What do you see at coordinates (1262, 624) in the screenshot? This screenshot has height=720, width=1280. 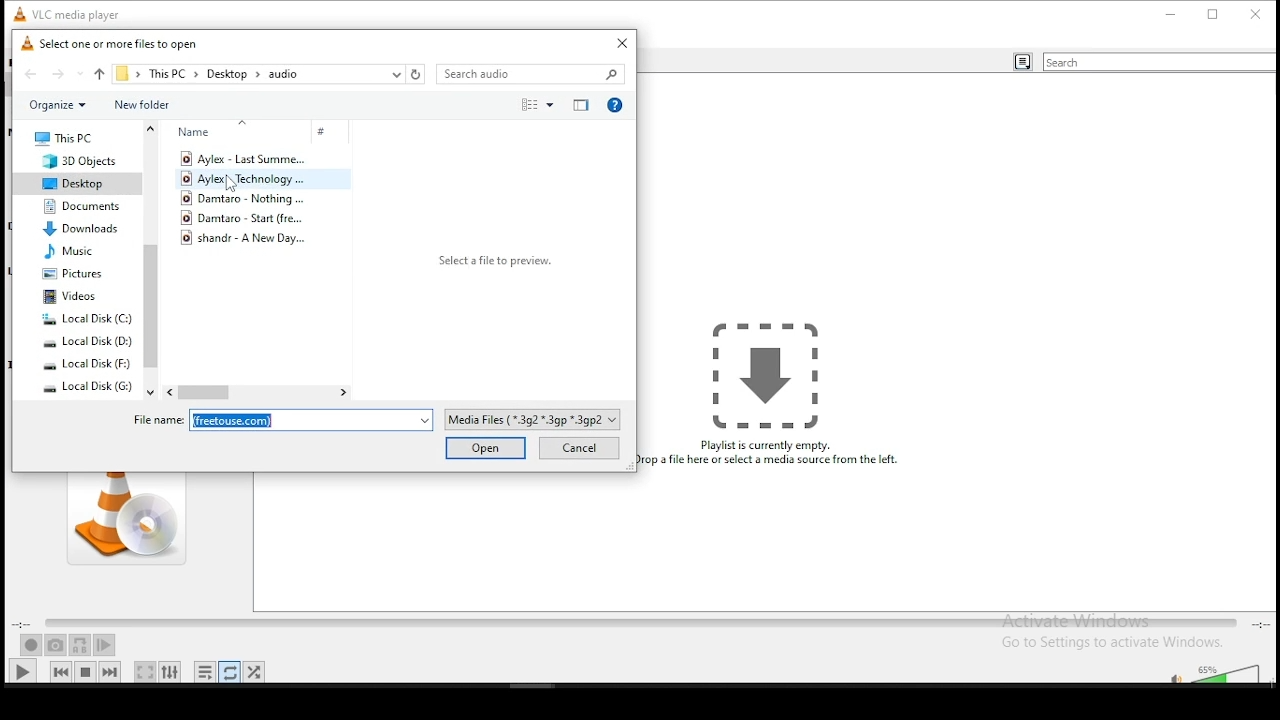 I see `total/remaining time` at bounding box center [1262, 624].